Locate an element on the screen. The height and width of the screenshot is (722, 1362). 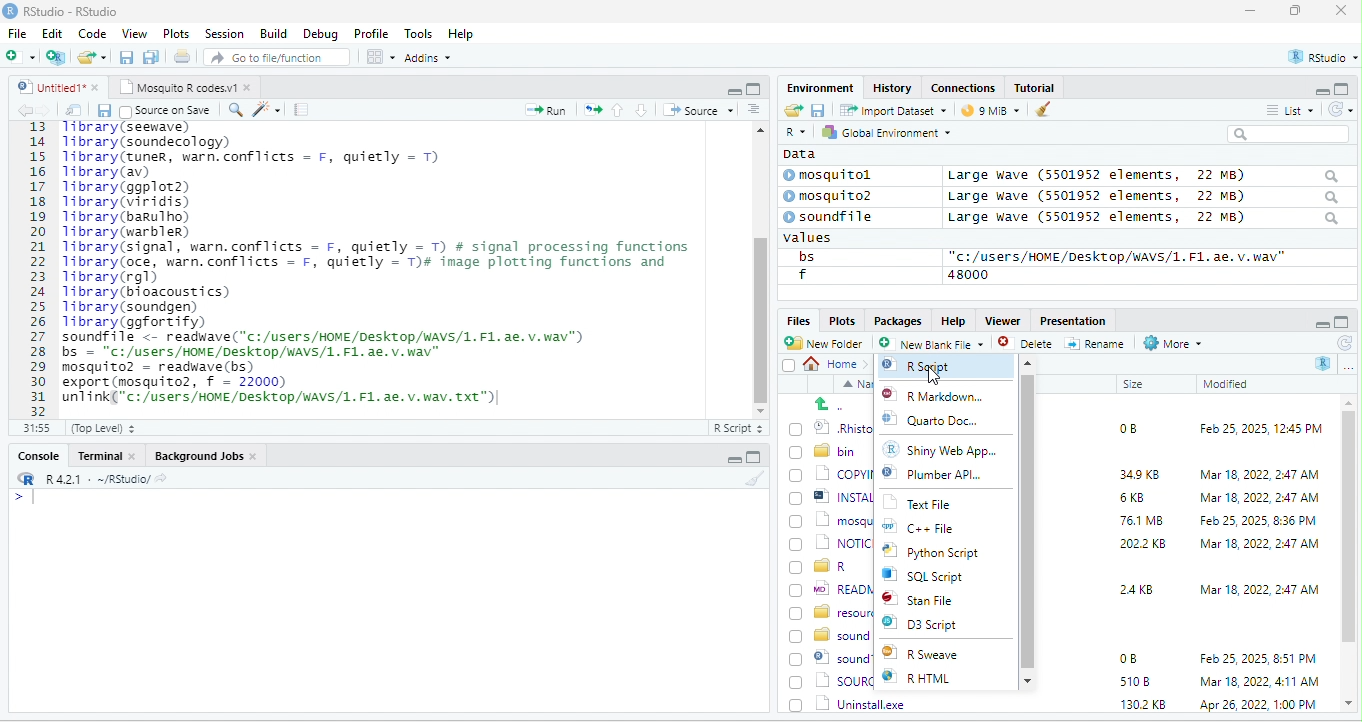
[) = R is located at coordinates (830, 567).